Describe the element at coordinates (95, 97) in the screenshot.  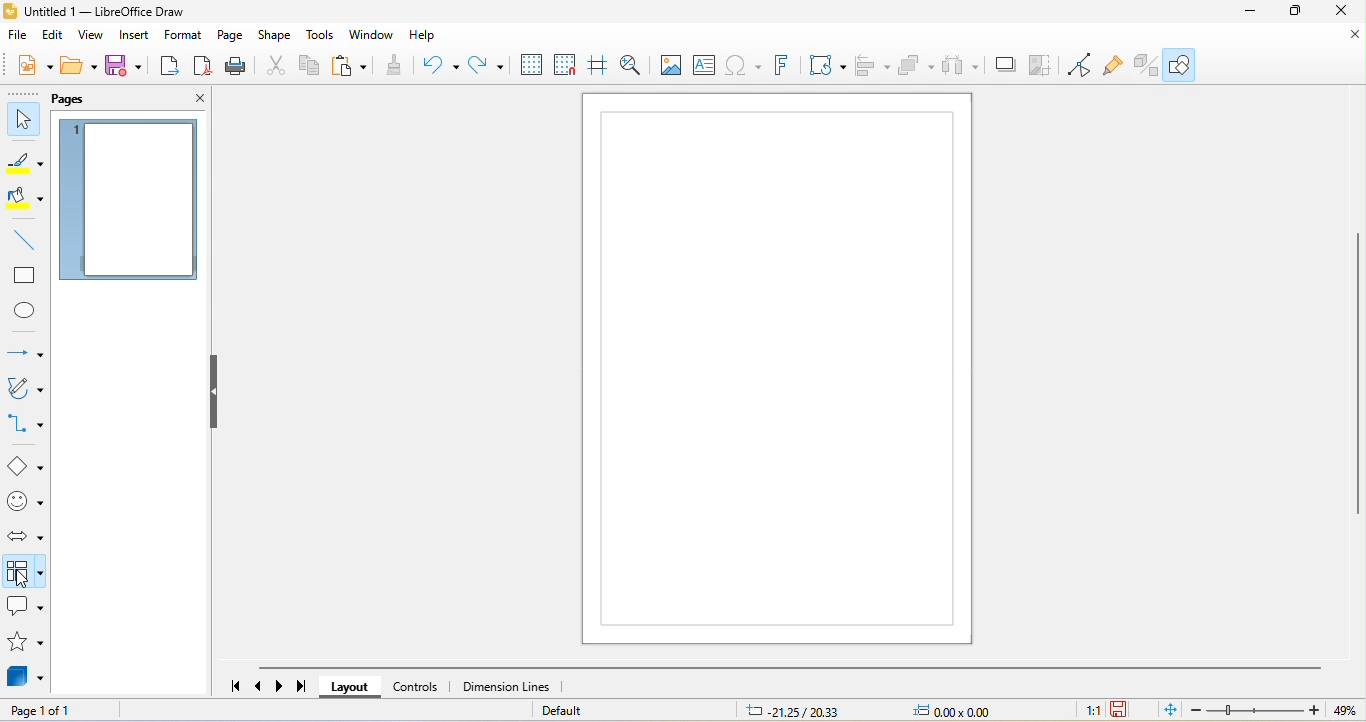
I see `pages` at that location.